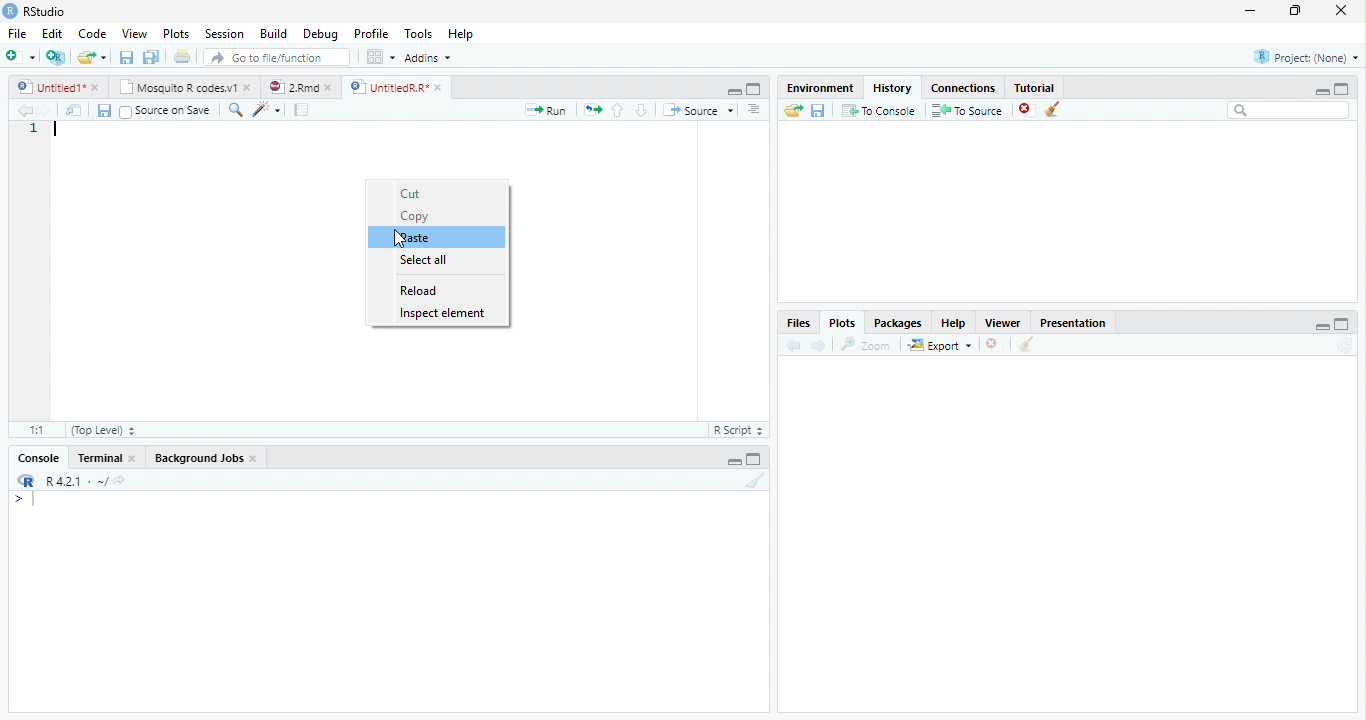 The image size is (1366, 720). Describe the element at coordinates (332, 87) in the screenshot. I see `close` at that location.